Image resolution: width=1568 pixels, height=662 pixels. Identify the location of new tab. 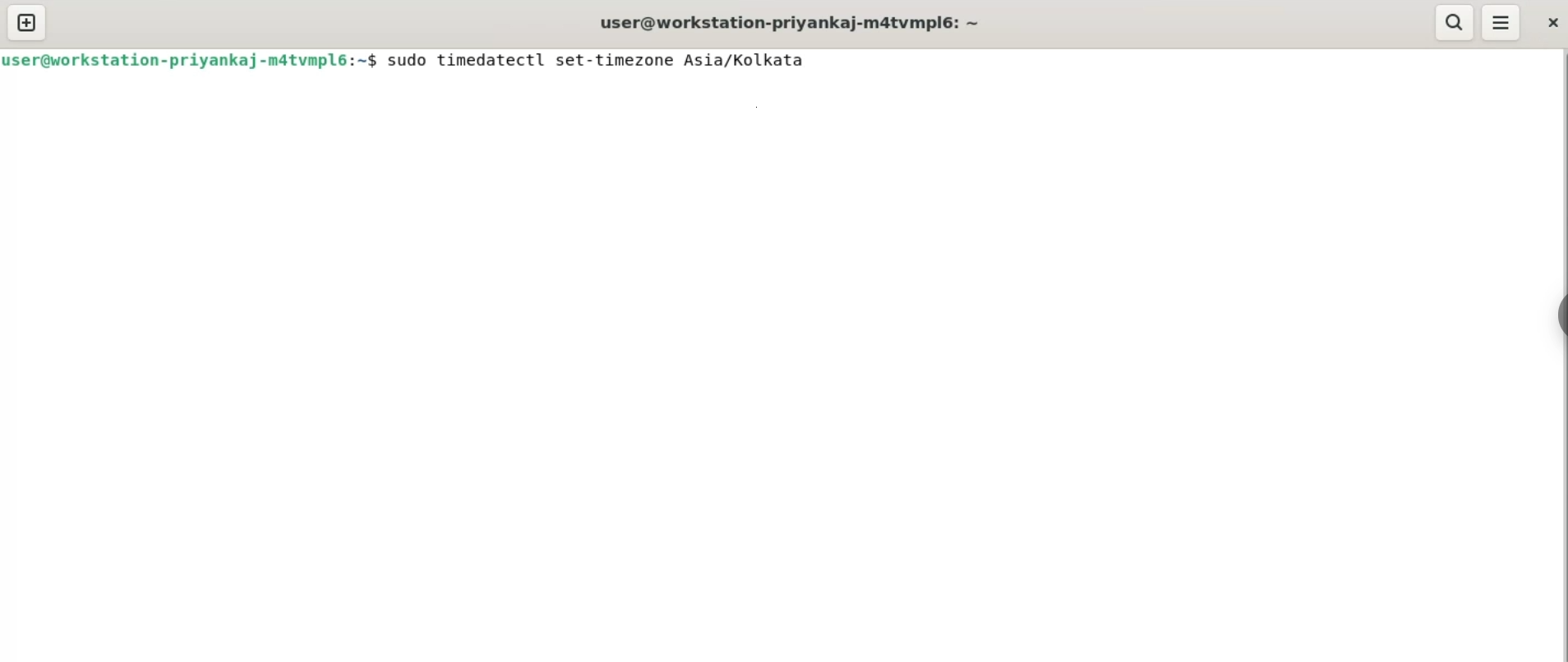
(29, 23).